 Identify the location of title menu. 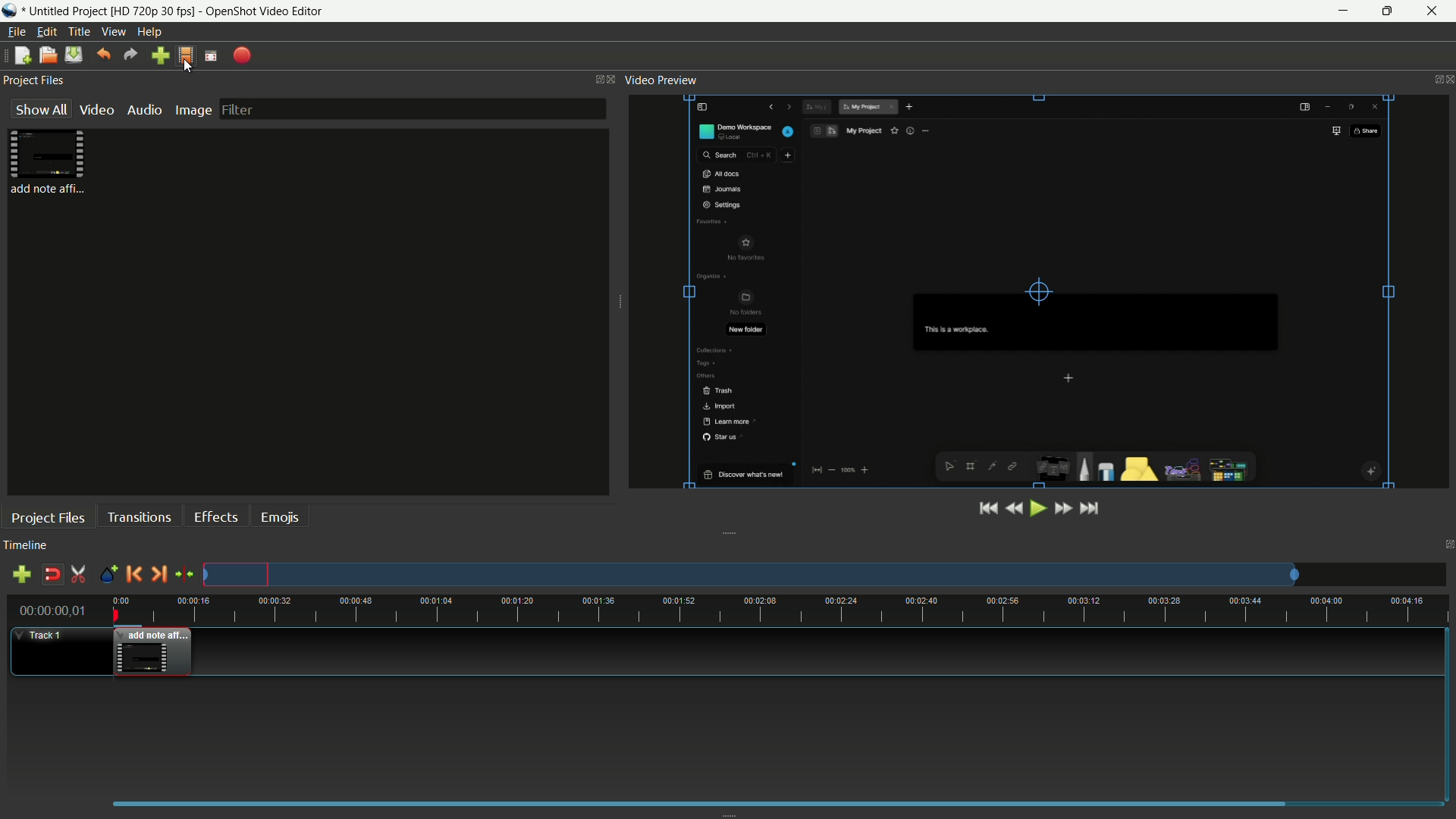
(80, 32).